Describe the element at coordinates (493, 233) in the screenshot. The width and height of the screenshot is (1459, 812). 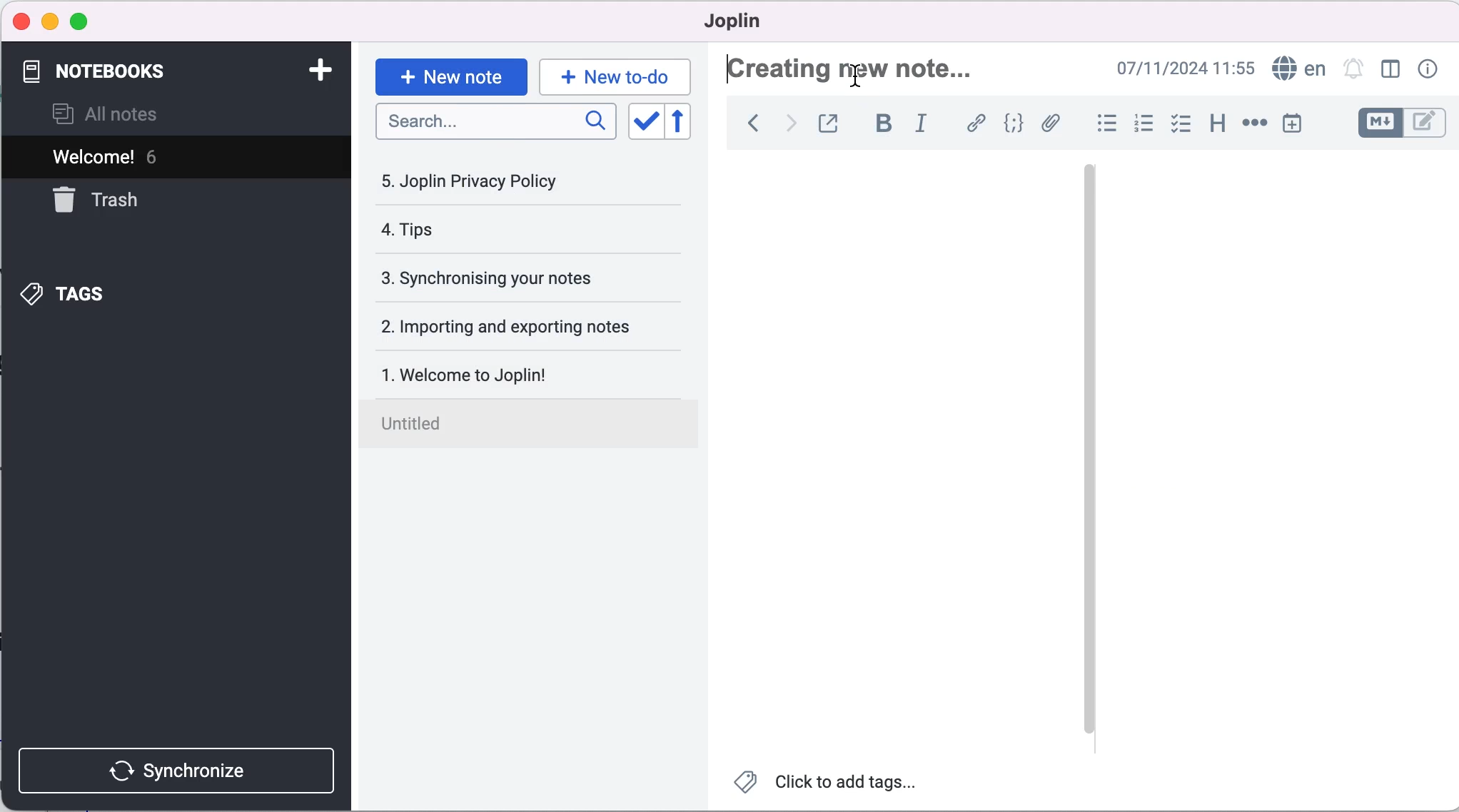
I see `tips` at that location.